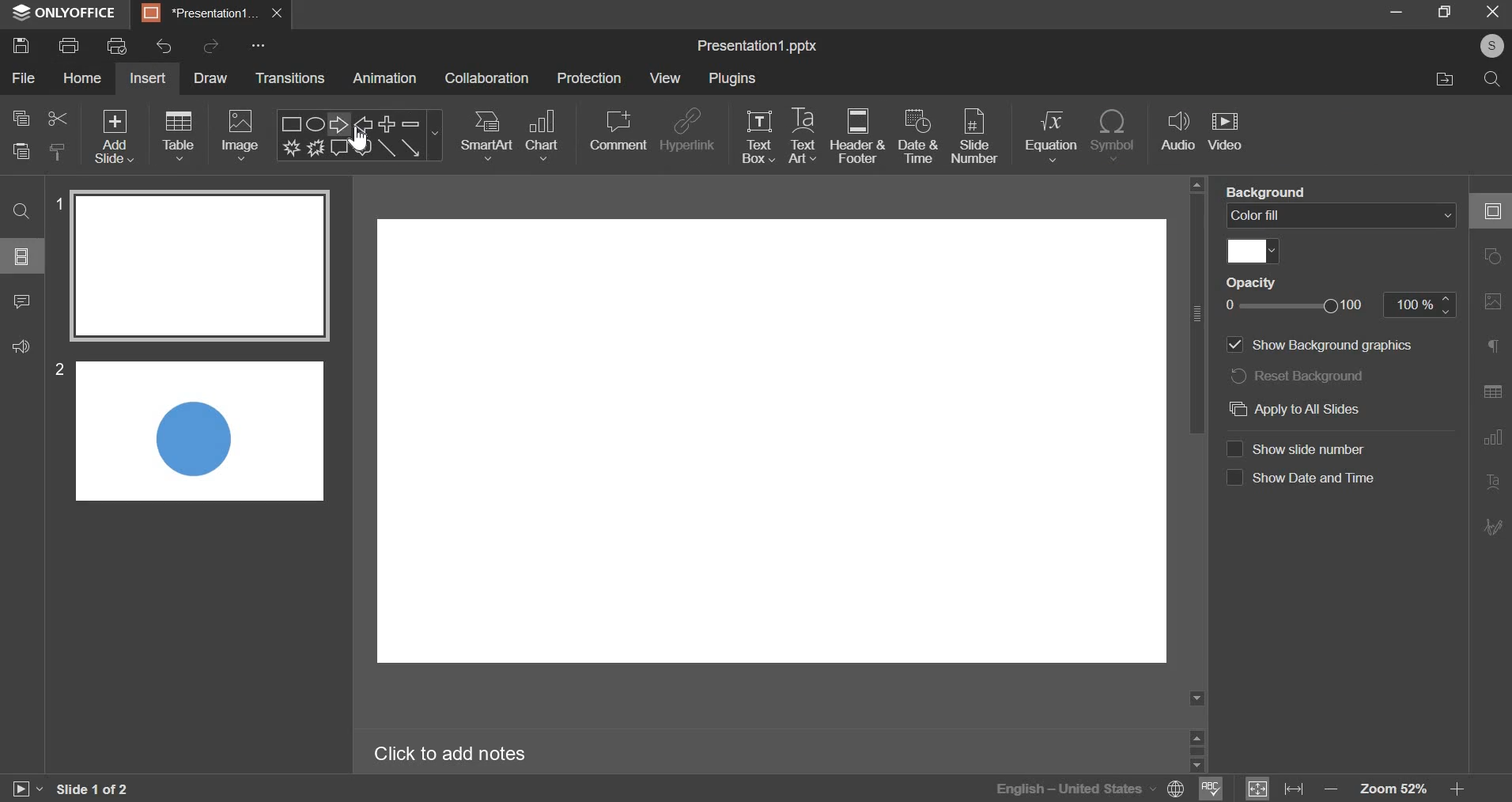  Describe the element at coordinates (1390, 786) in the screenshot. I see `zoom 52%` at that location.